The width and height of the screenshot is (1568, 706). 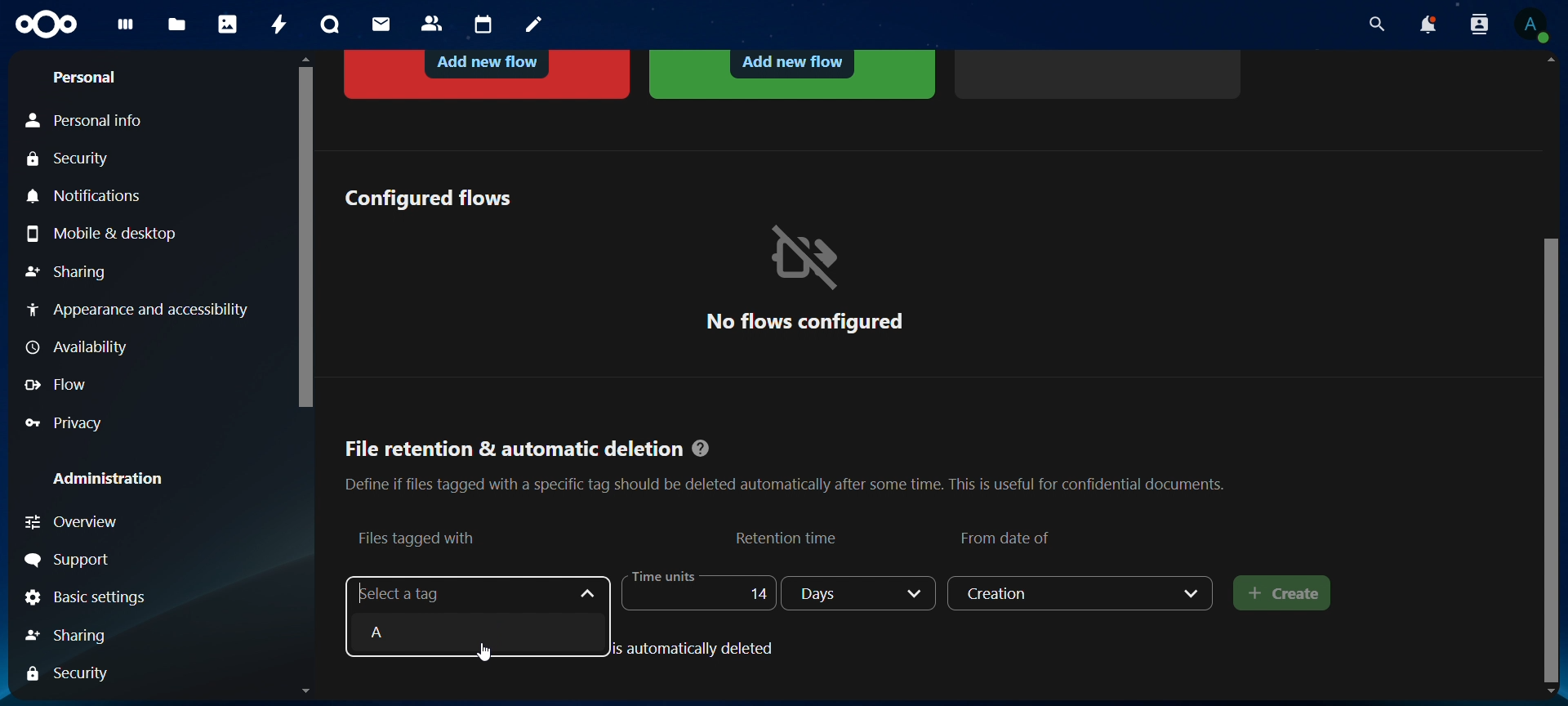 What do you see at coordinates (89, 197) in the screenshot?
I see `notifications` at bounding box center [89, 197].